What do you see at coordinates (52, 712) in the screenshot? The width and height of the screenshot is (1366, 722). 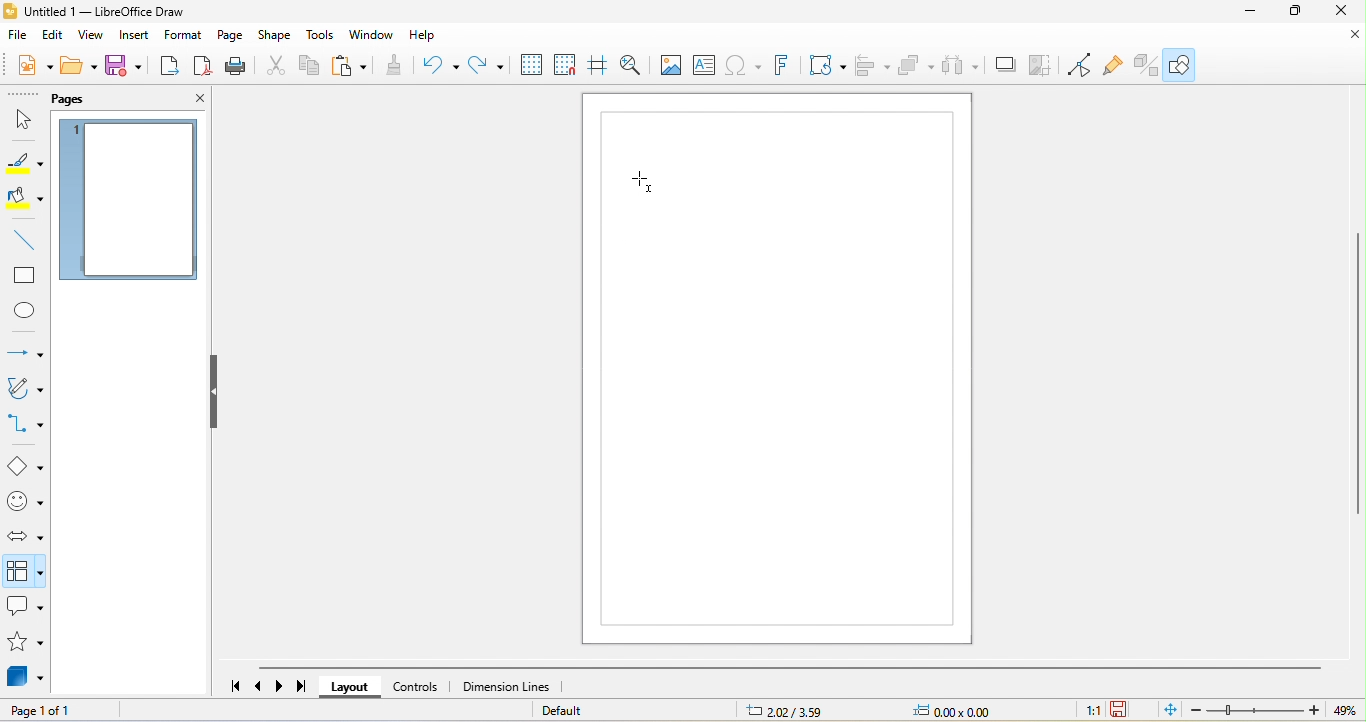 I see `page 1 of 1` at bounding box center [52, 712].